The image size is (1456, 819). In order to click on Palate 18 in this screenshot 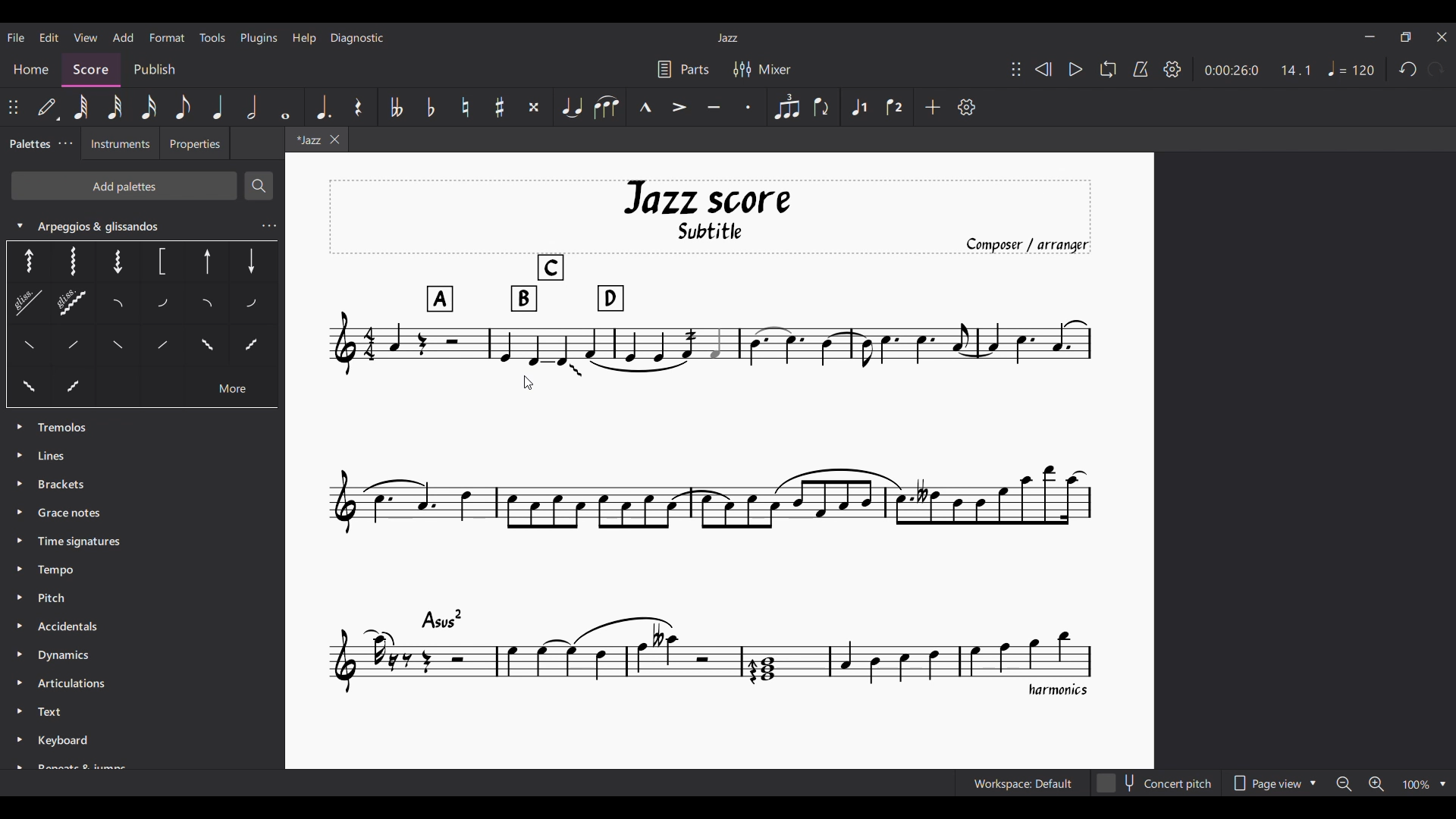, I will do `click(28, 388)`.